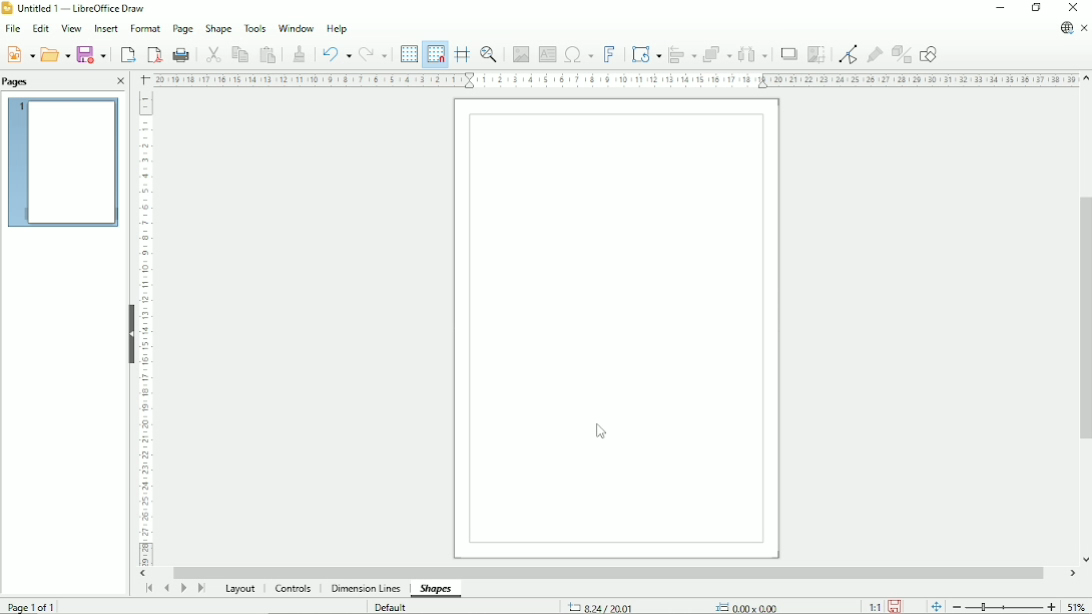 The height and width of the screenshot is (614, 1092). I want to click on Toggle extrusion, so click(901, 55).